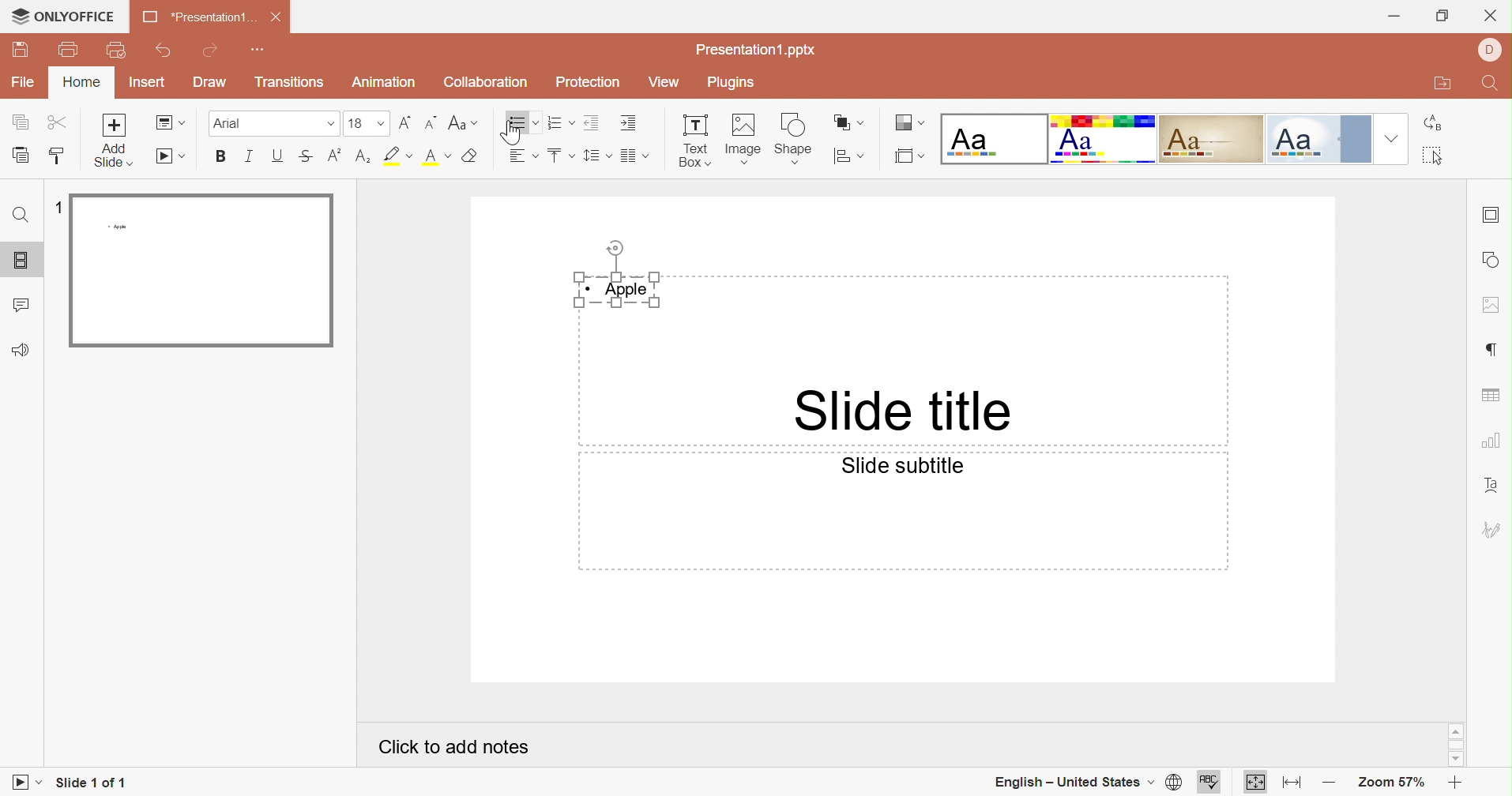  Describe the element at coordinates (171, 123) in the screenshot. I see `Change slide layout` at that location.